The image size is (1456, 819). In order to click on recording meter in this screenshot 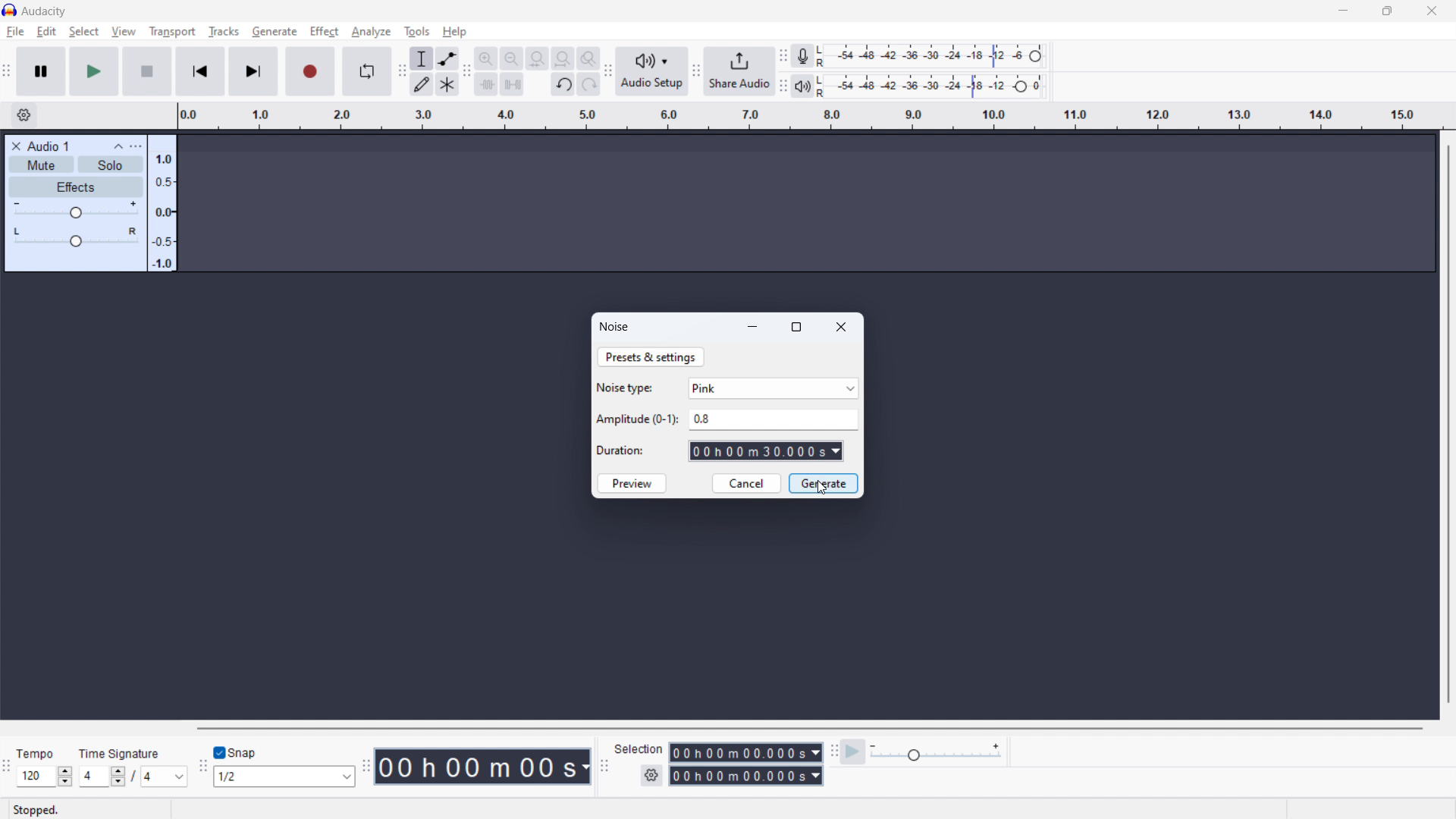, I will do `click(930, 56)`.